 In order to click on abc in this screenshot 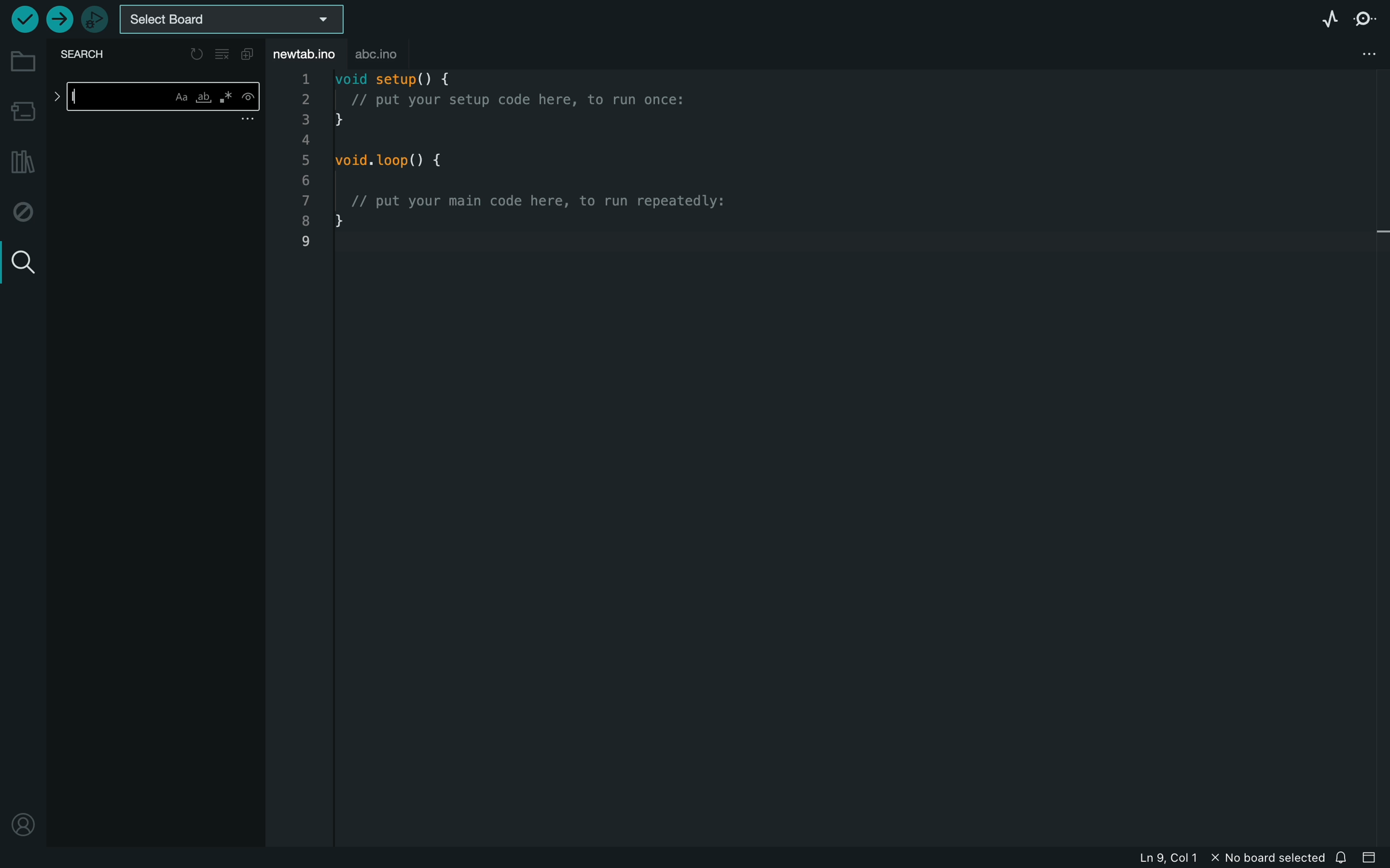, I will do `click(385, 55)`.